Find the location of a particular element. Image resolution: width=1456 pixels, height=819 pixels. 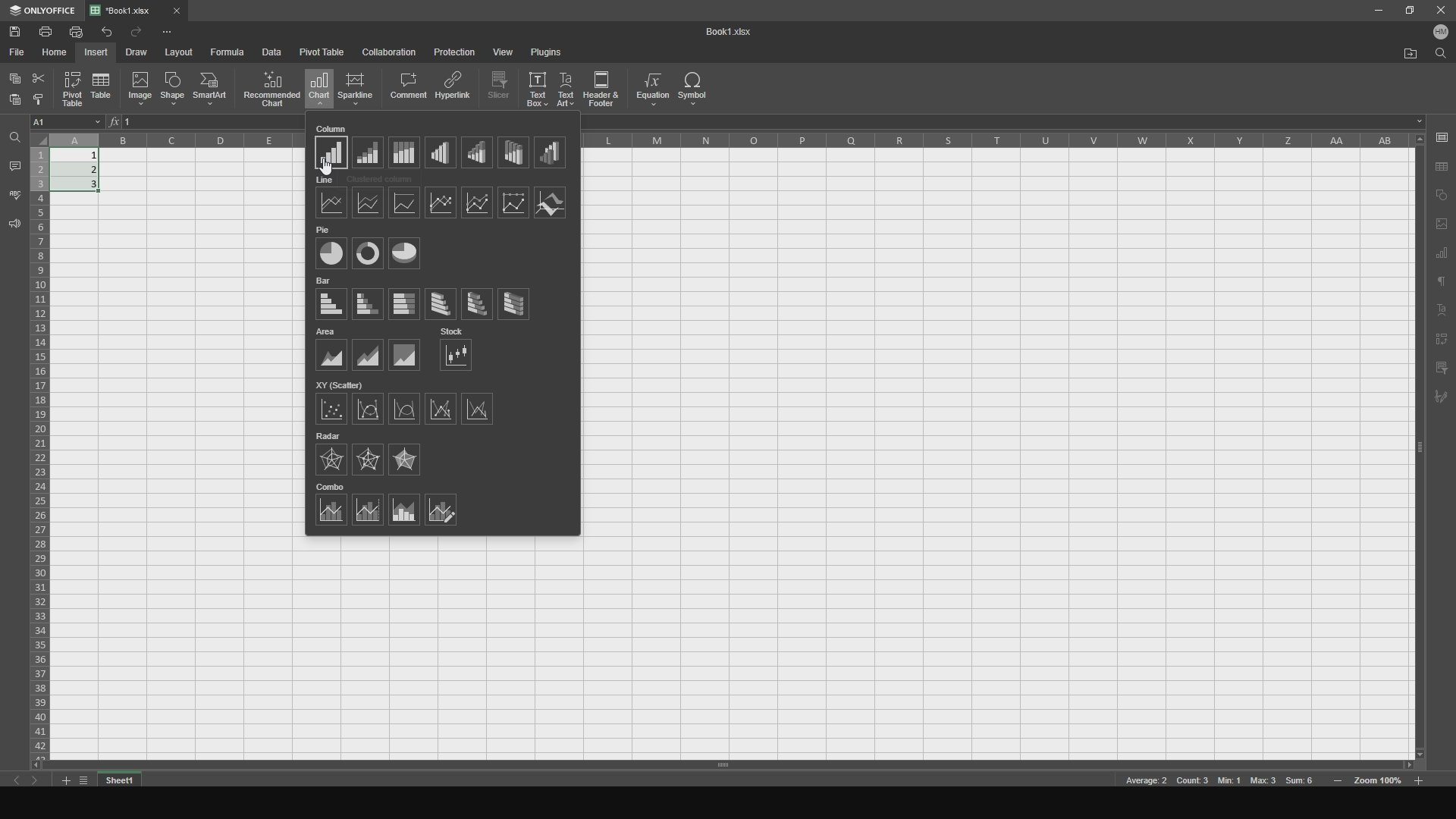

page is located at coordinates (1442, 224).